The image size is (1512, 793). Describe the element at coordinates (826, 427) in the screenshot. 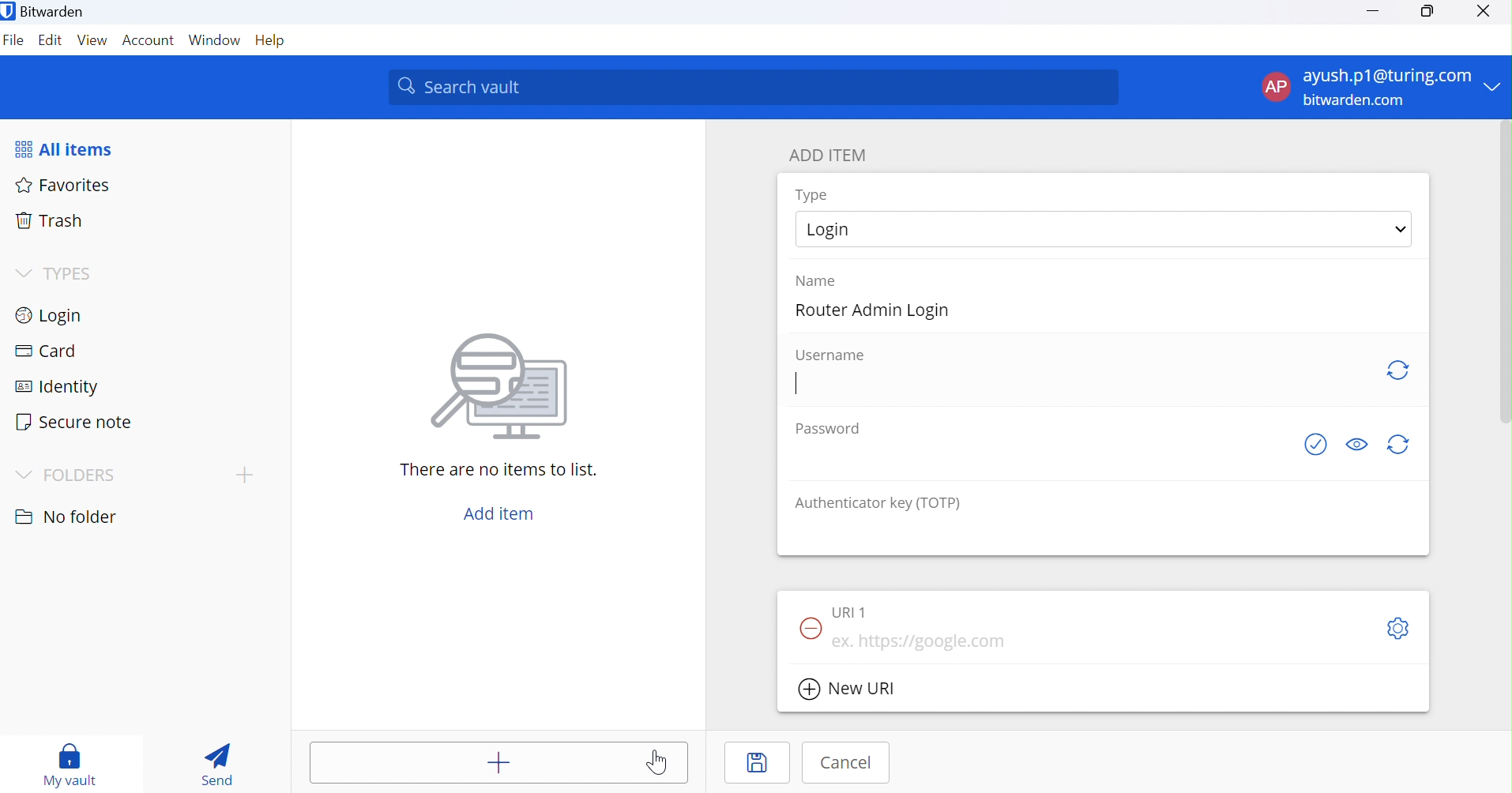

I see `Password` at that location.